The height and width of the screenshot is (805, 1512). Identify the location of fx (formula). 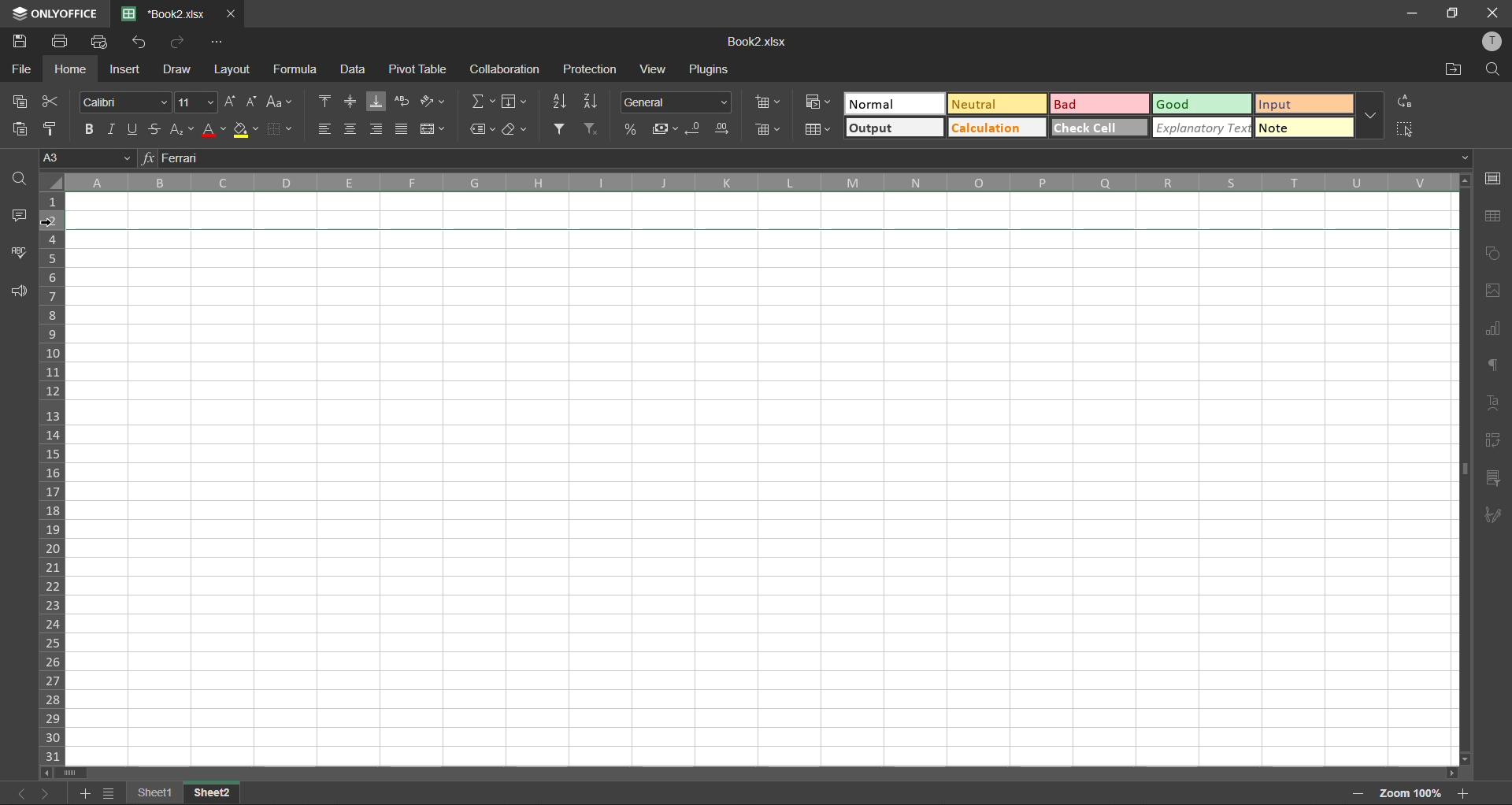
(148, 158).